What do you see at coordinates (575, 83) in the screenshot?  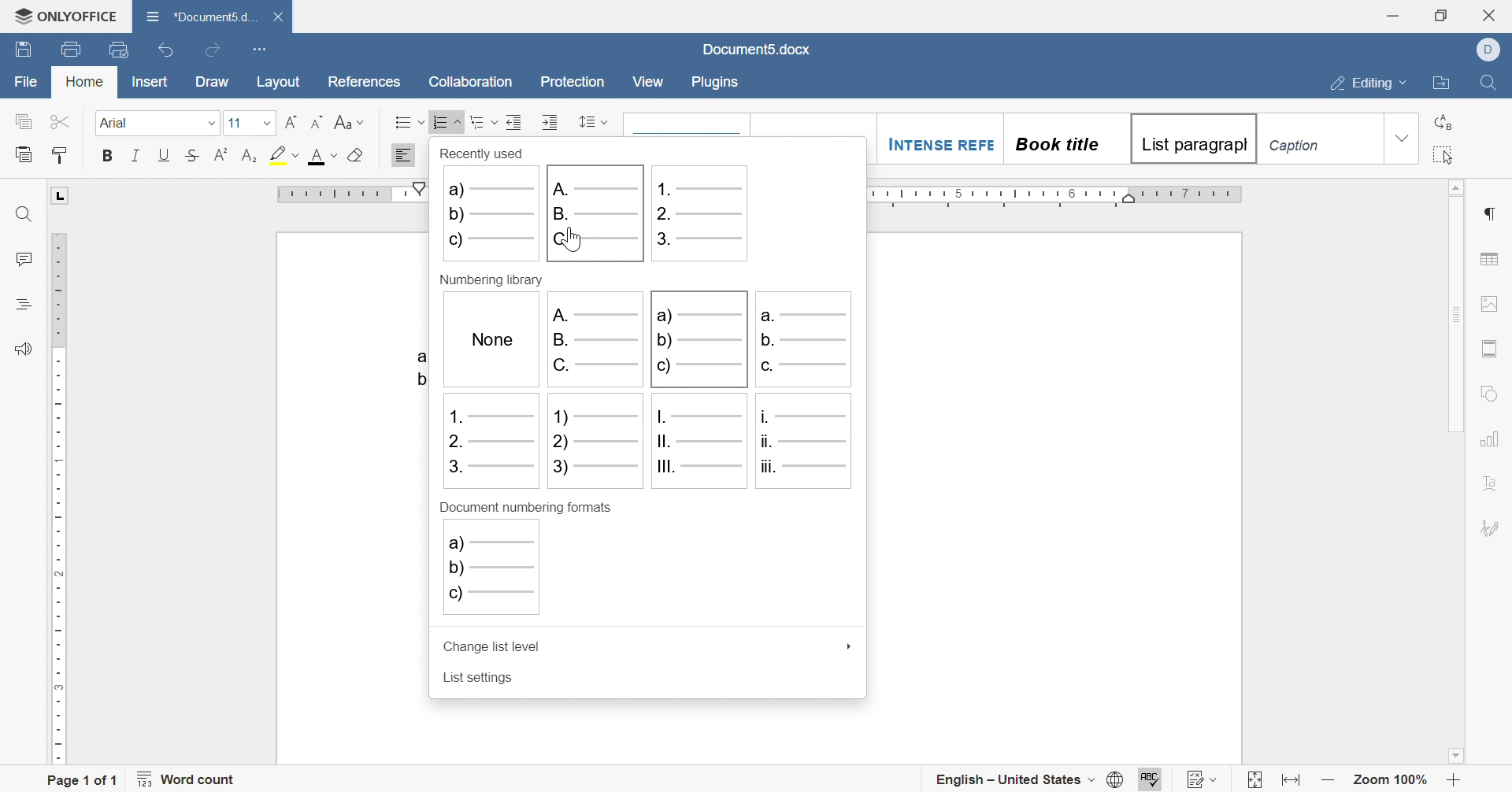 I see `protection` at bounding box center [575, 83].